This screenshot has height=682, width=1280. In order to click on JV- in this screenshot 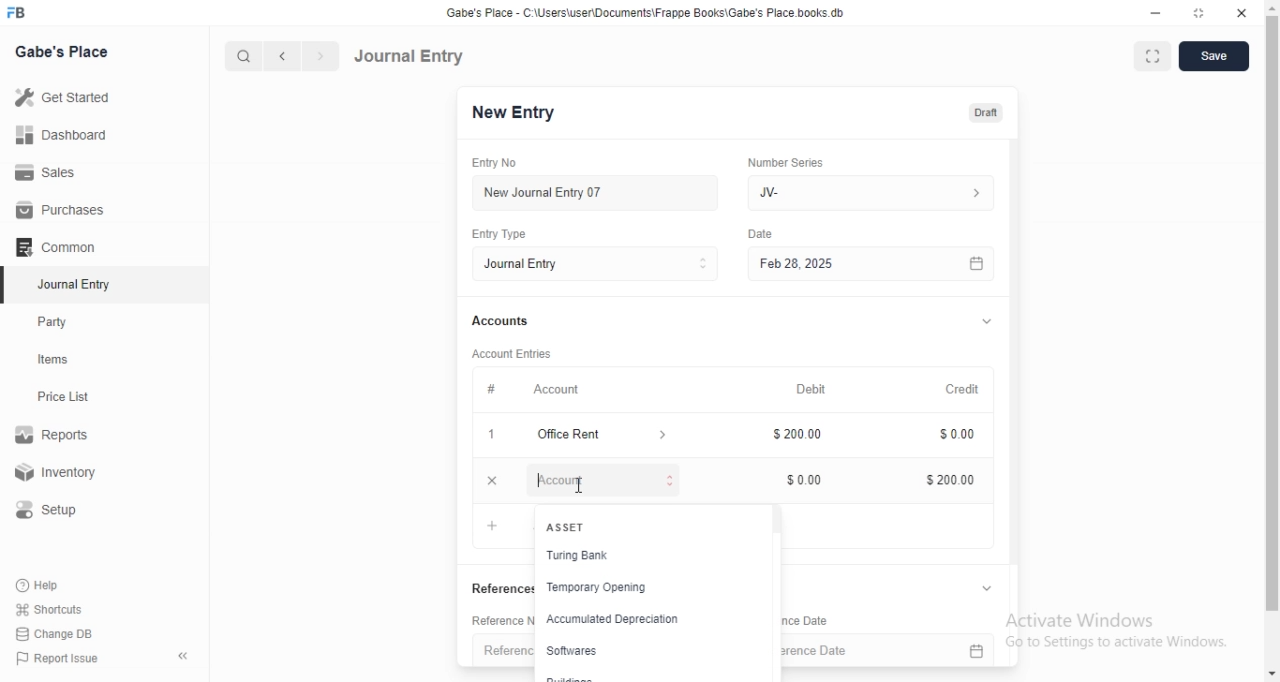, I will do `click(883, 193)`.